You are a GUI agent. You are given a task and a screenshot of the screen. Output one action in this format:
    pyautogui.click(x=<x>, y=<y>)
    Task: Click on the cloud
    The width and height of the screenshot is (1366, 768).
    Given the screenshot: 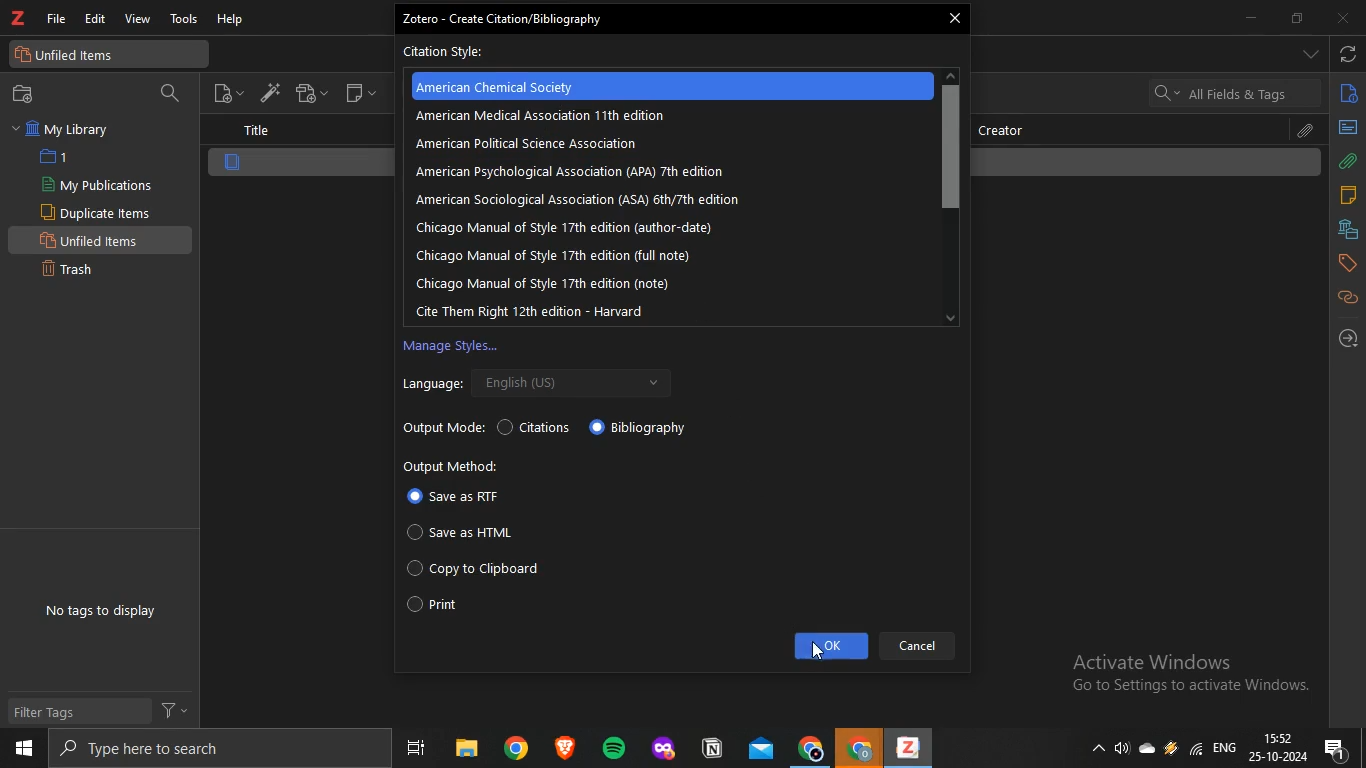 What is the action you would take?
    pyautogui.click(x=1150, y=746)
    